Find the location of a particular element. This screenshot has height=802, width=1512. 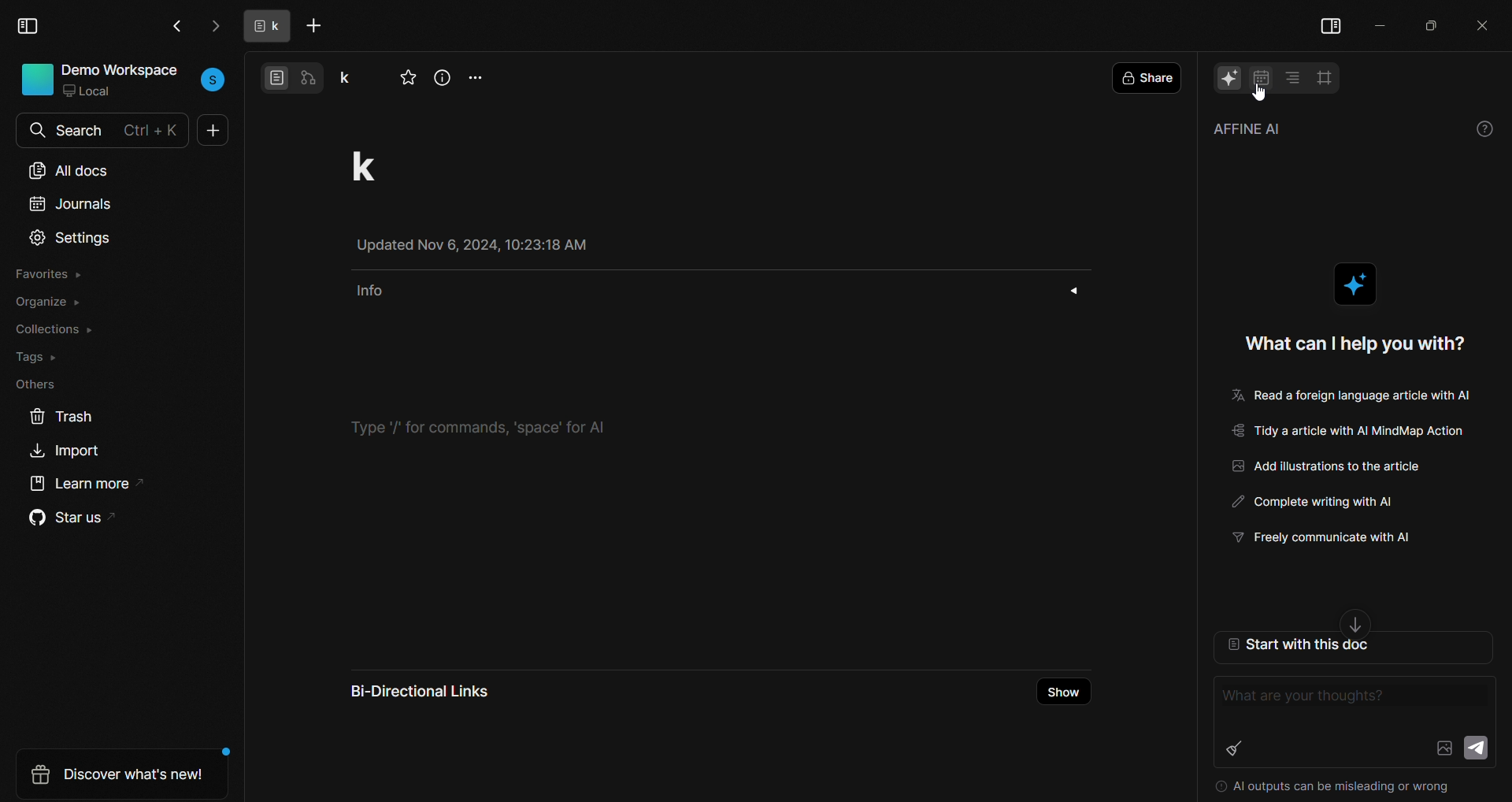

AI is located at coordinates (1228, 76).